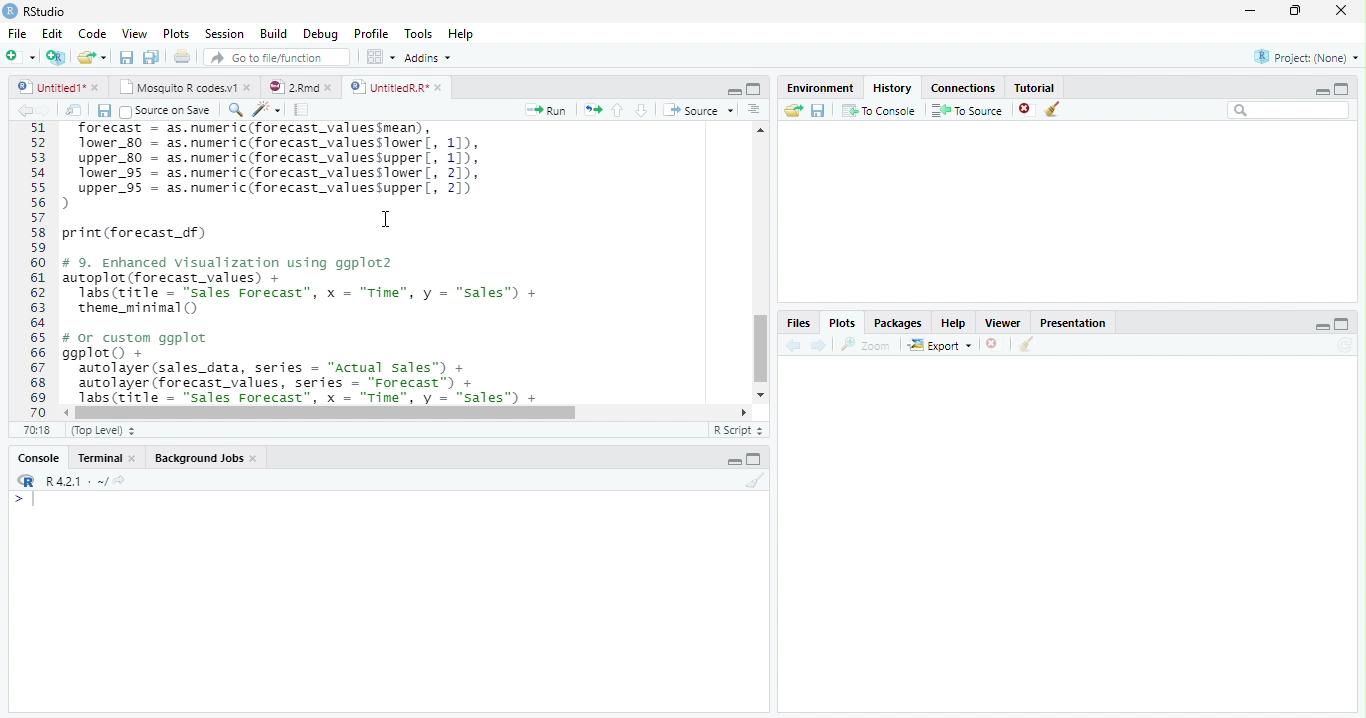  Describe the element at coordinates (793, 345) in the screenshot. I see `Previous` at that location.